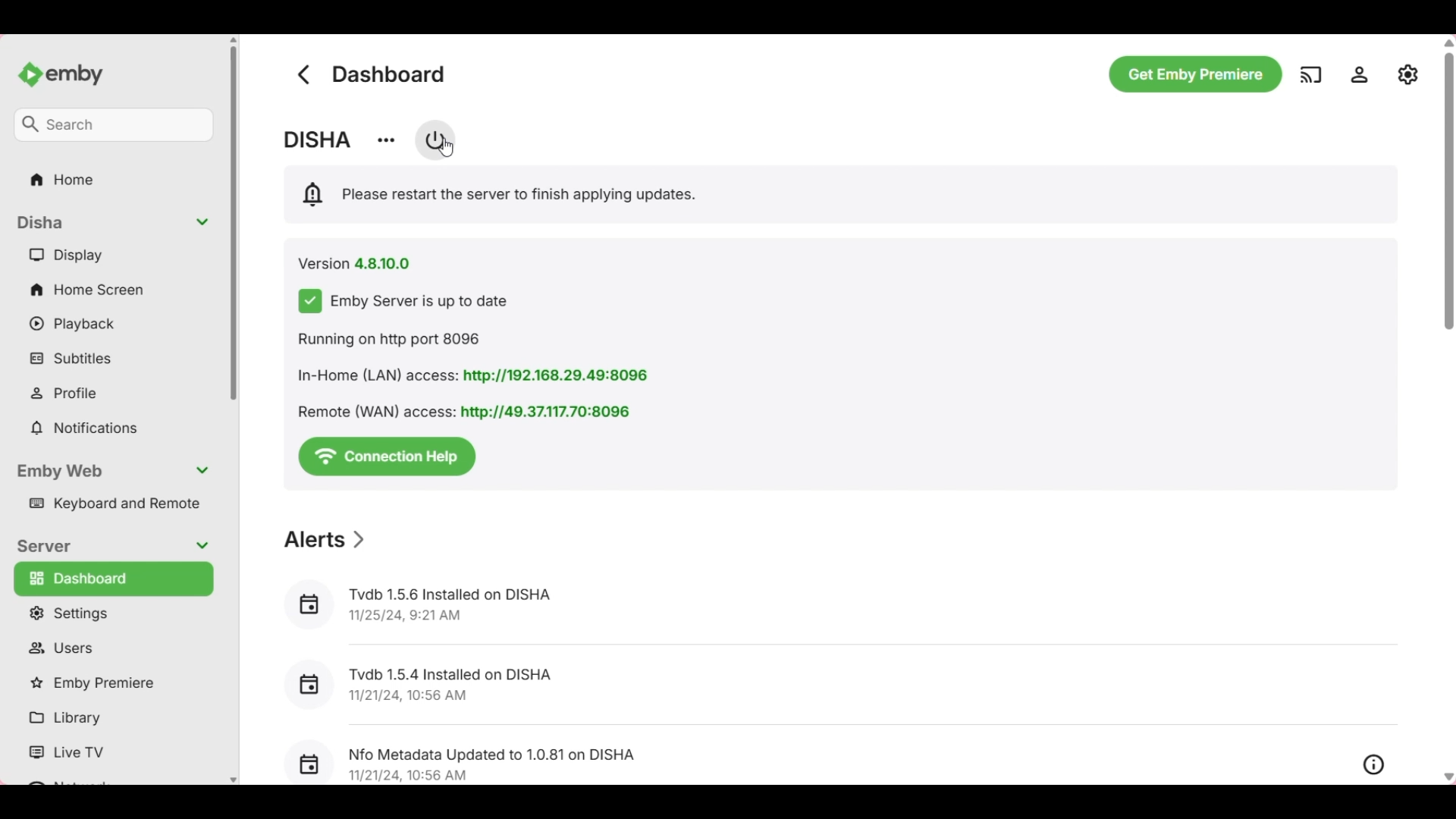  Describe the element at coordinates (326, 539) in the screenshot. I see `Section title` at that location.